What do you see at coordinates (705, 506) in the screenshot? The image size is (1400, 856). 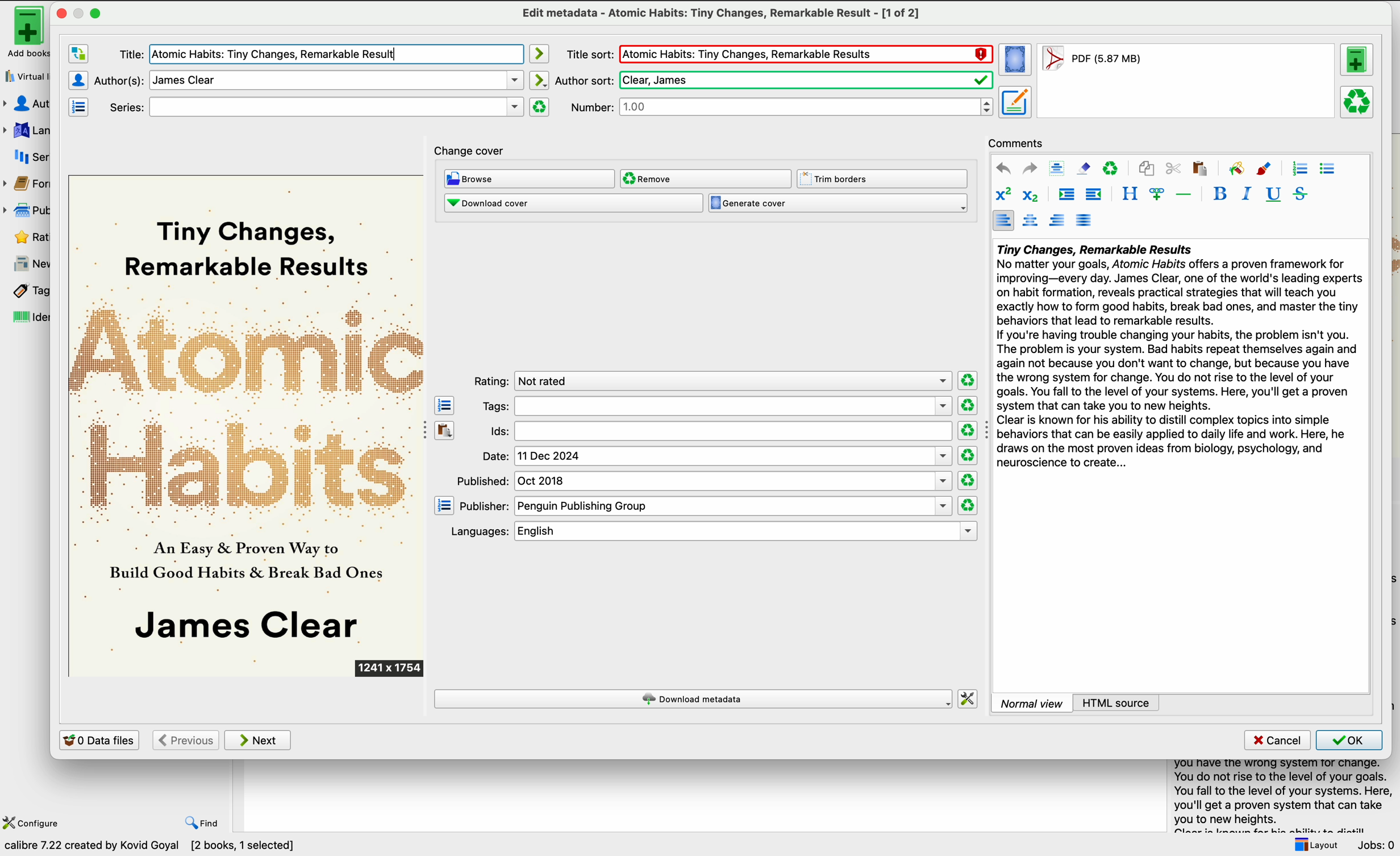 I see `publisher` at bounding box center [705, 506].